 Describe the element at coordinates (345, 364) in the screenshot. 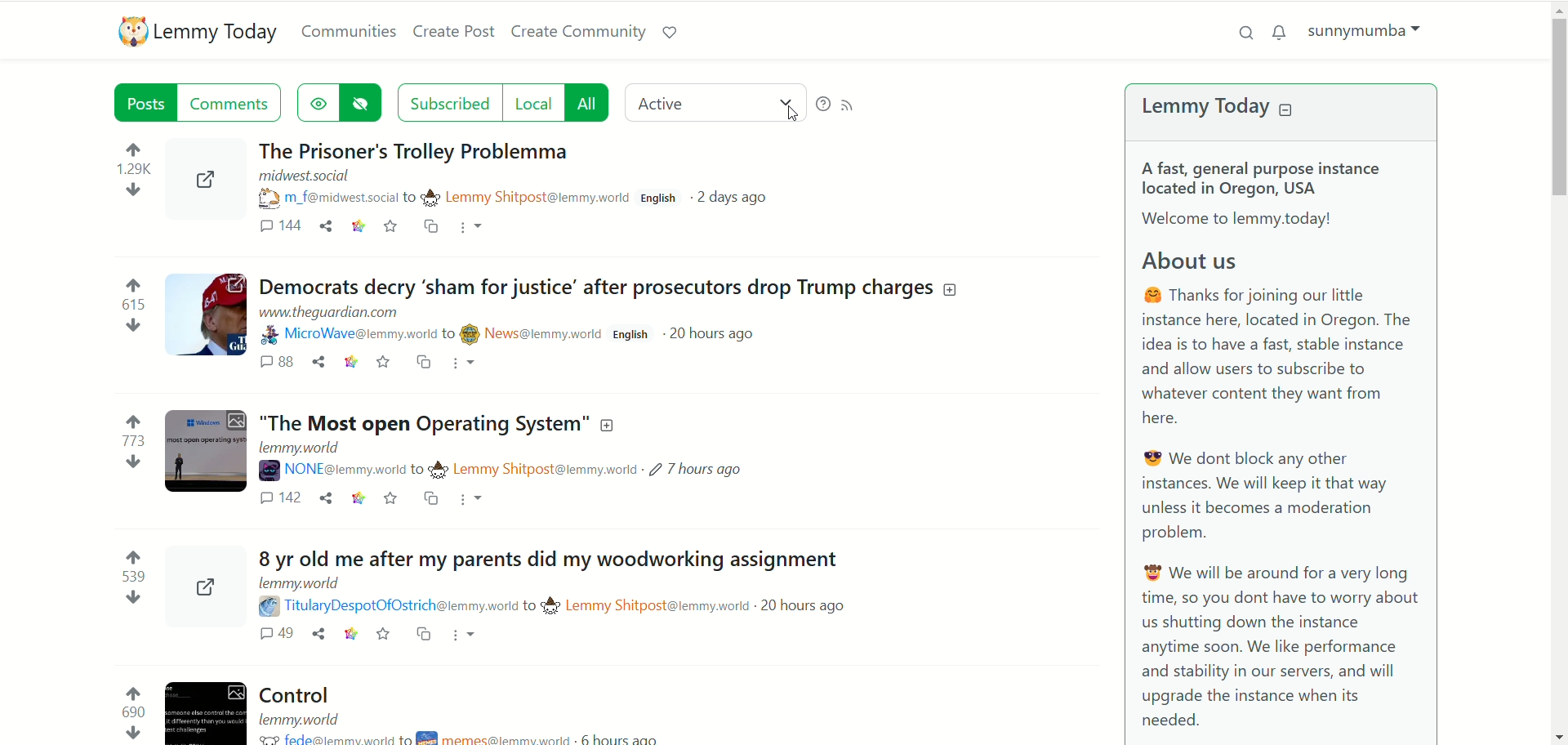

I see `link` at that location.